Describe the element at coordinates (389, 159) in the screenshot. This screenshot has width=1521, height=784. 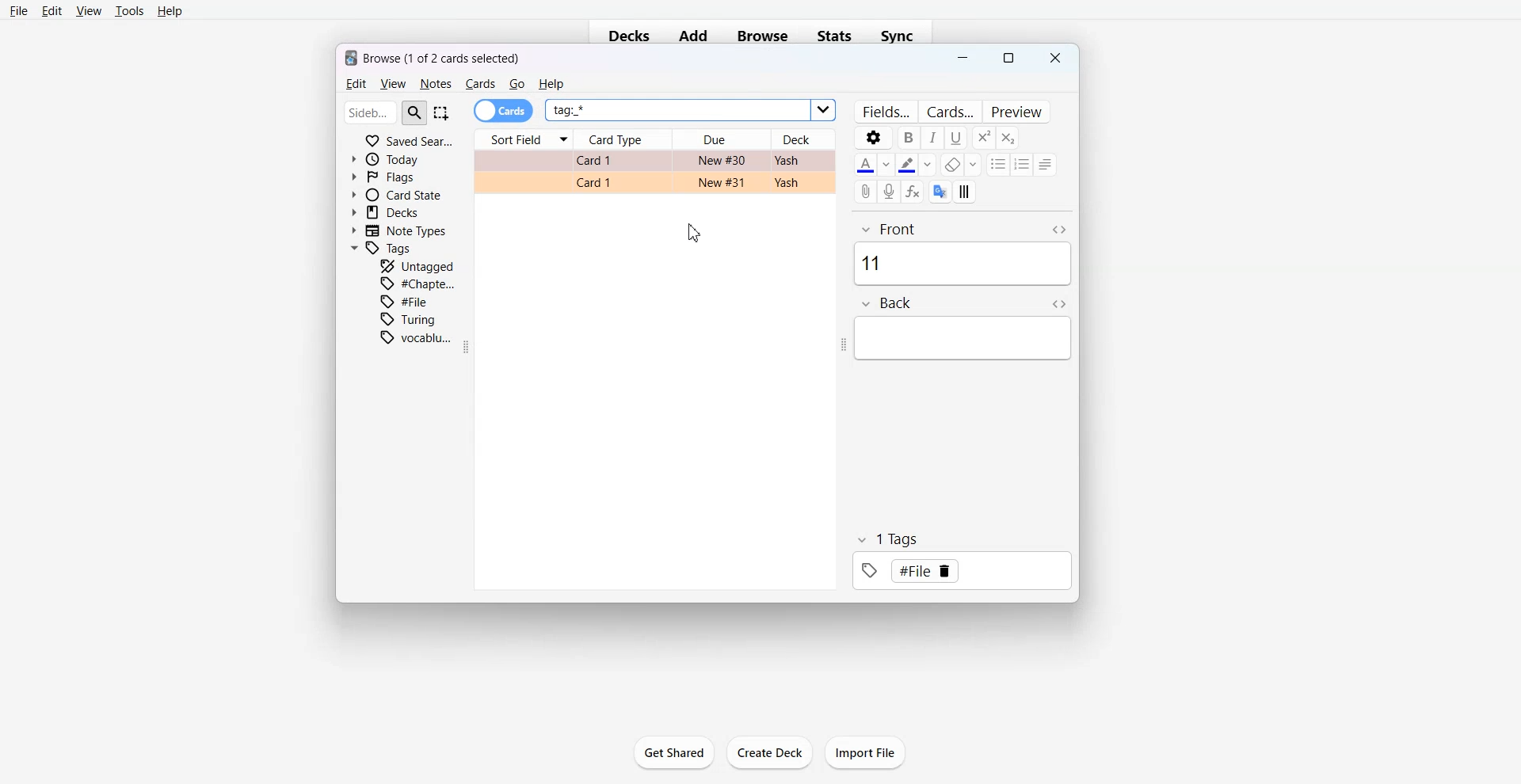
I see `Today` at that location.